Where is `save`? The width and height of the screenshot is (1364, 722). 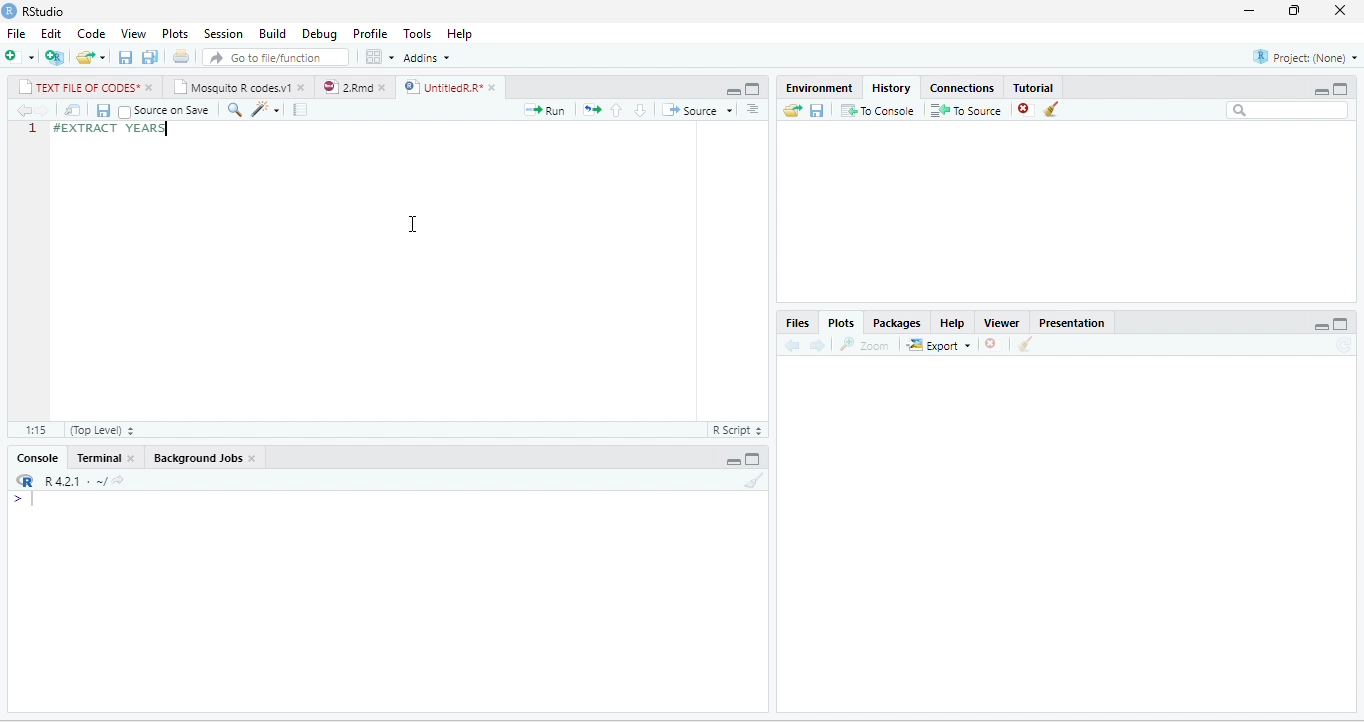
save is located at coordinates (126, 57).